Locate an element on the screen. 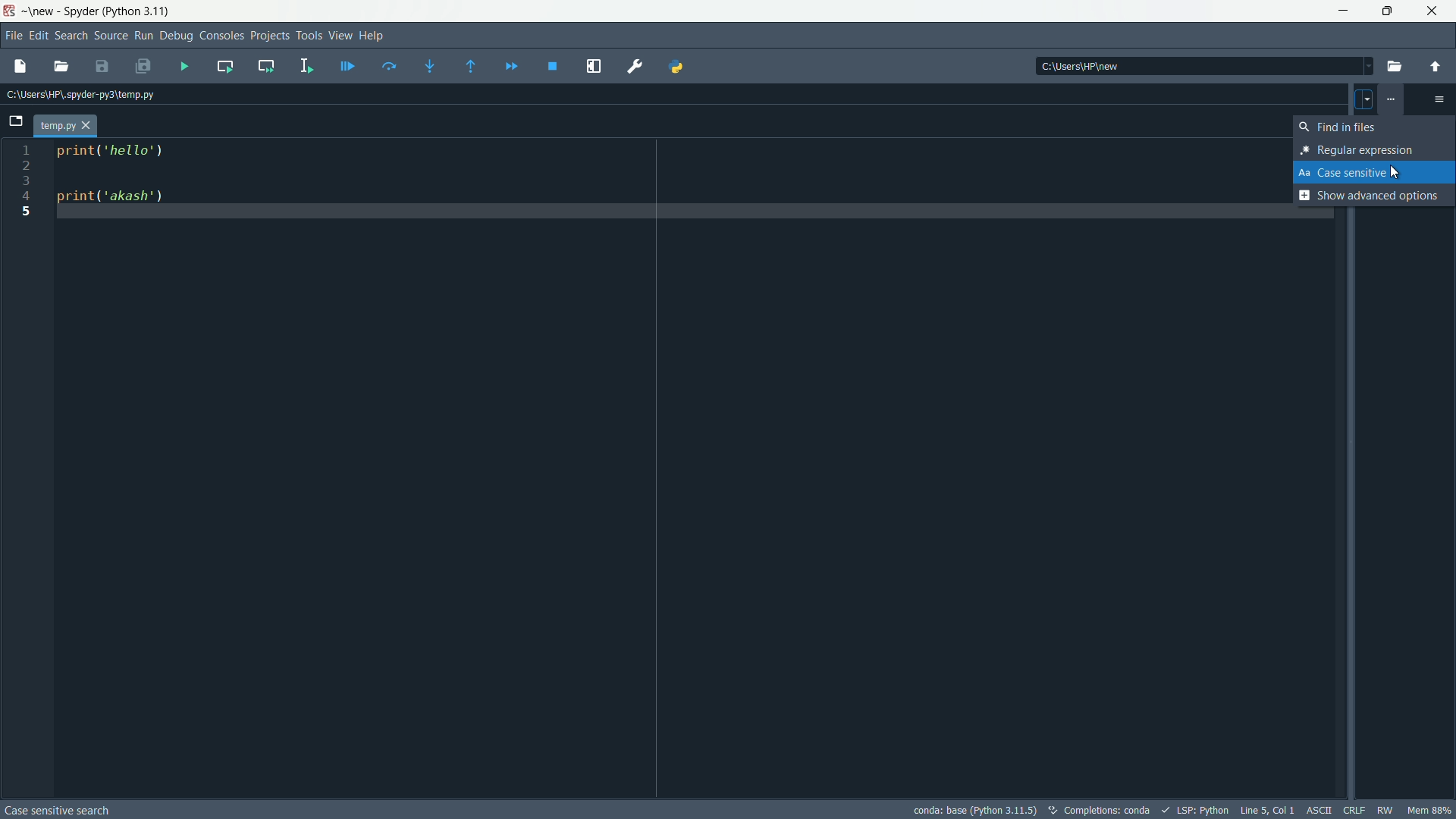 The width and height of the screenshot is (1456, 819). debug file is located at coordinates (348, 64).